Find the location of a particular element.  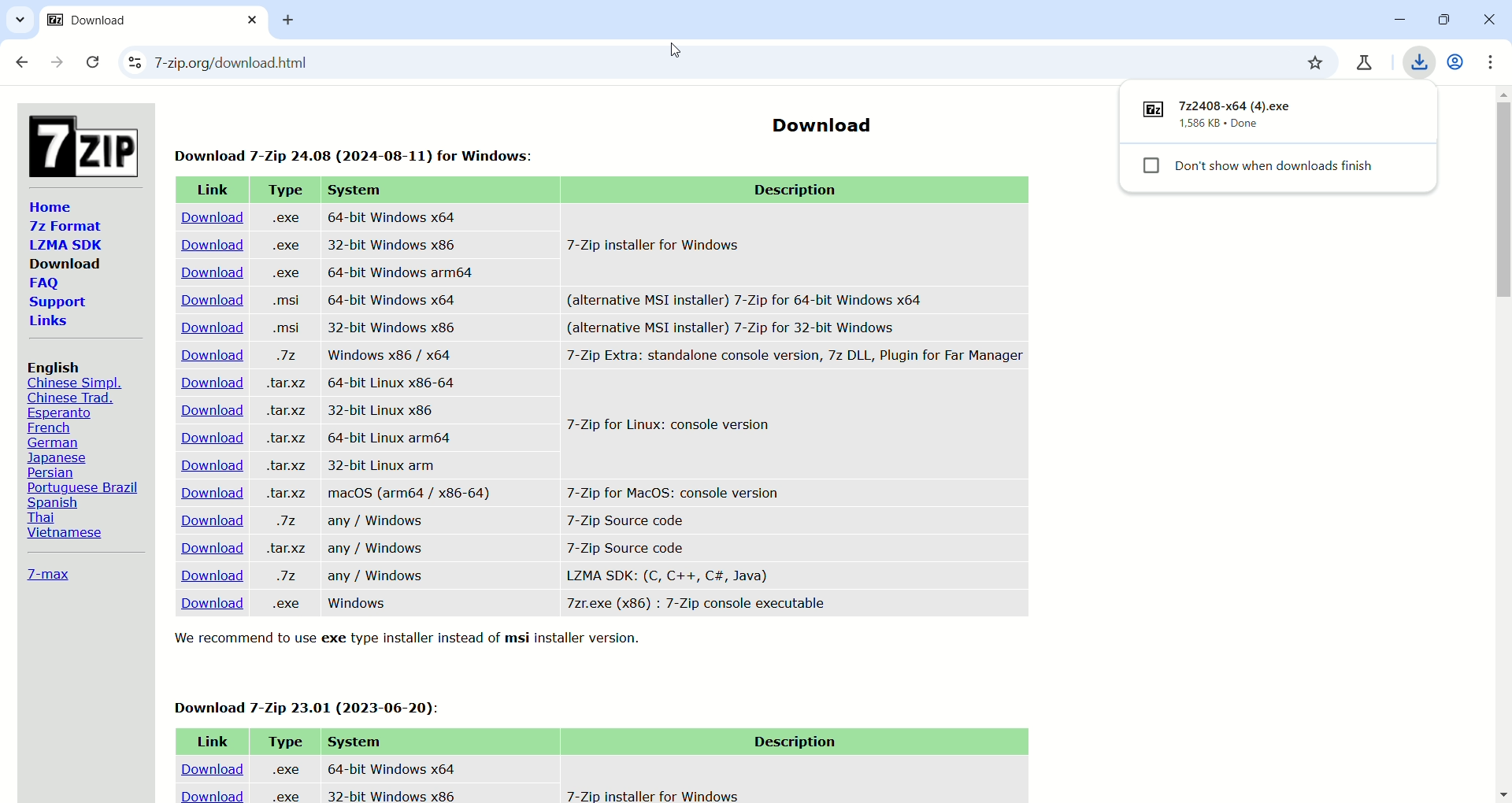

Download is located at coordinates (209, 464).